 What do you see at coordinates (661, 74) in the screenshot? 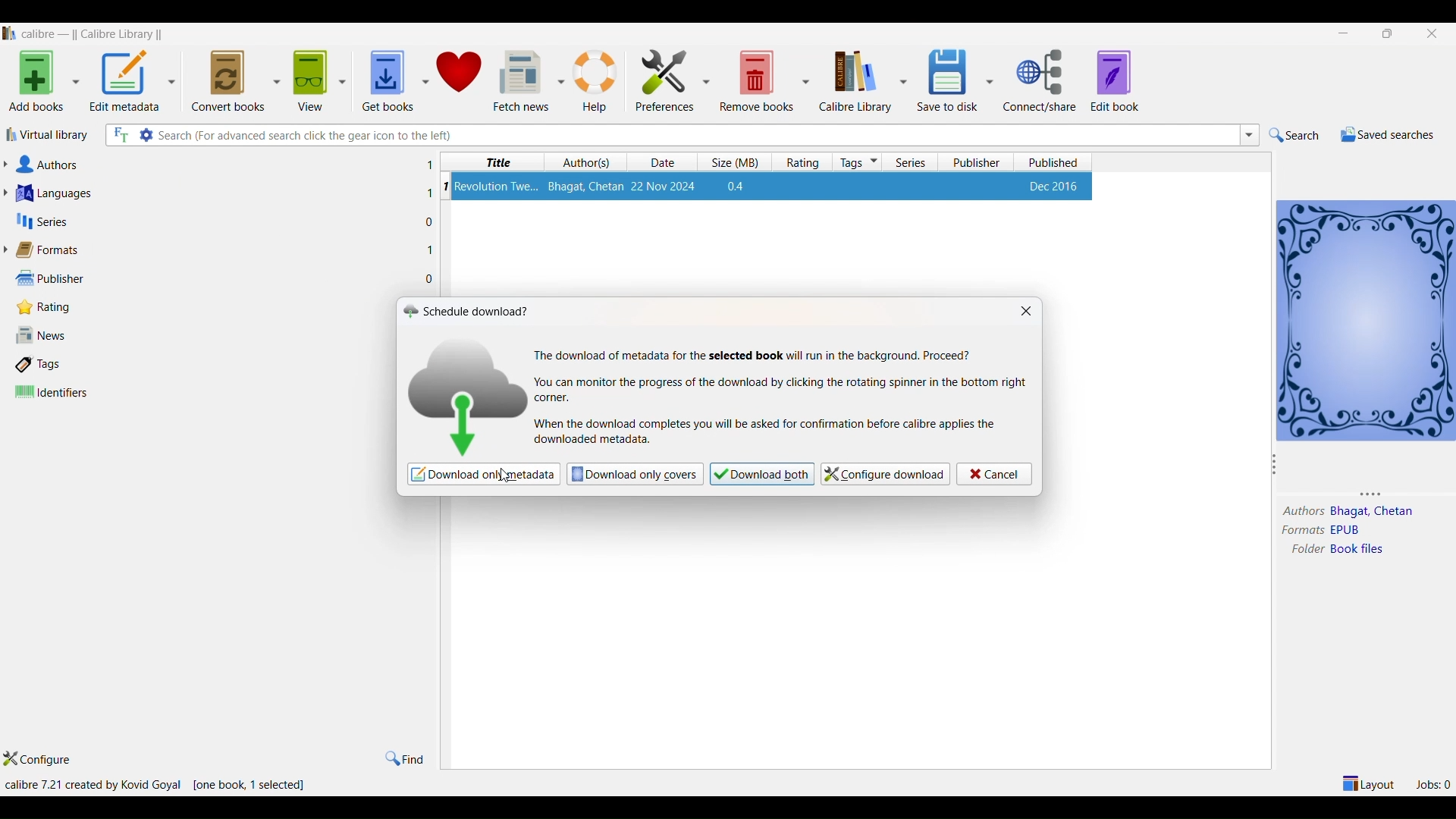
I see `preferences` at bounding box center [661, 74].